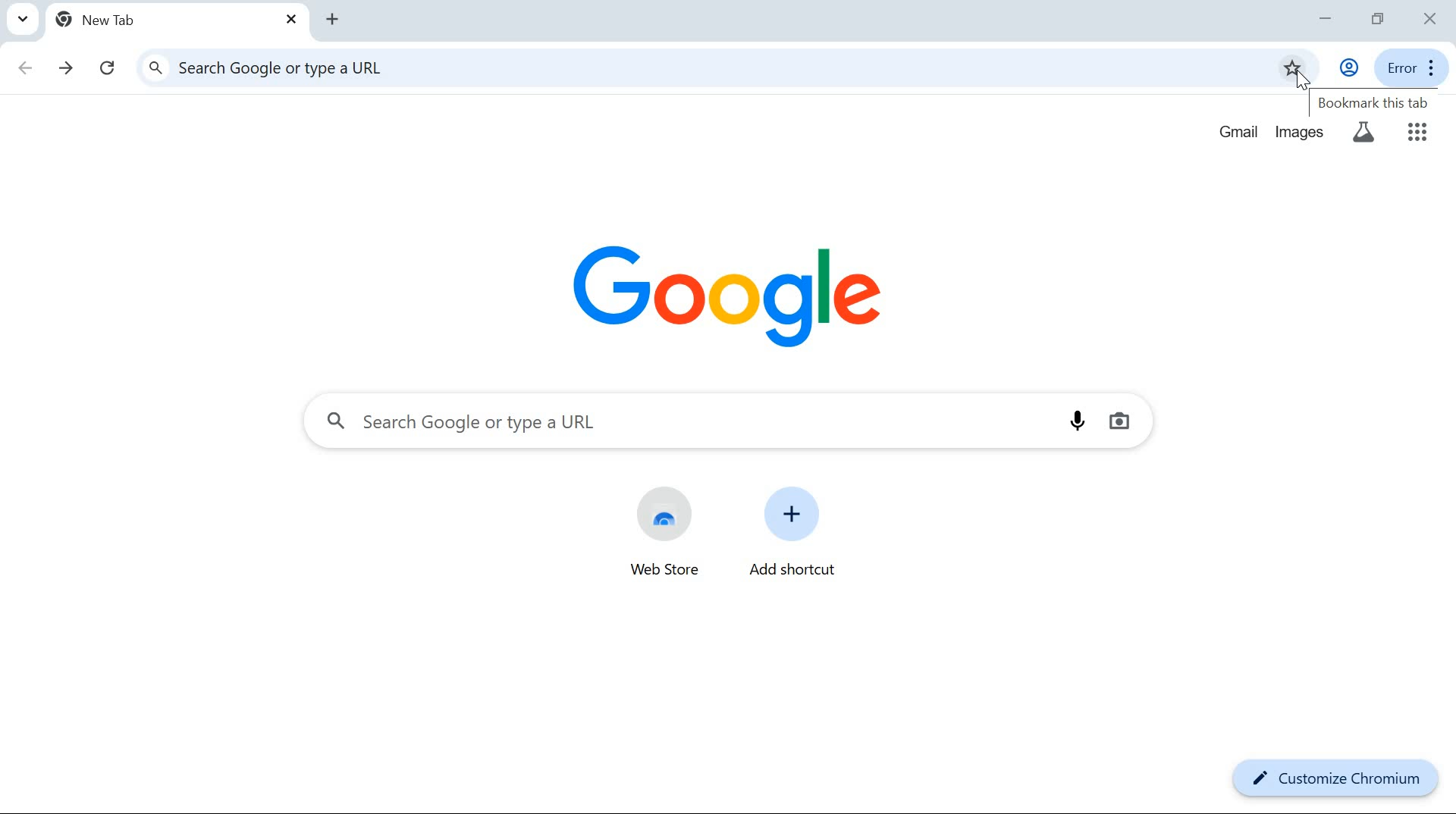 The width and height of the screenshot is (1456, 814). Describe the element at coordinates (1300, 132) in the screenshot. I see `images` at that location.